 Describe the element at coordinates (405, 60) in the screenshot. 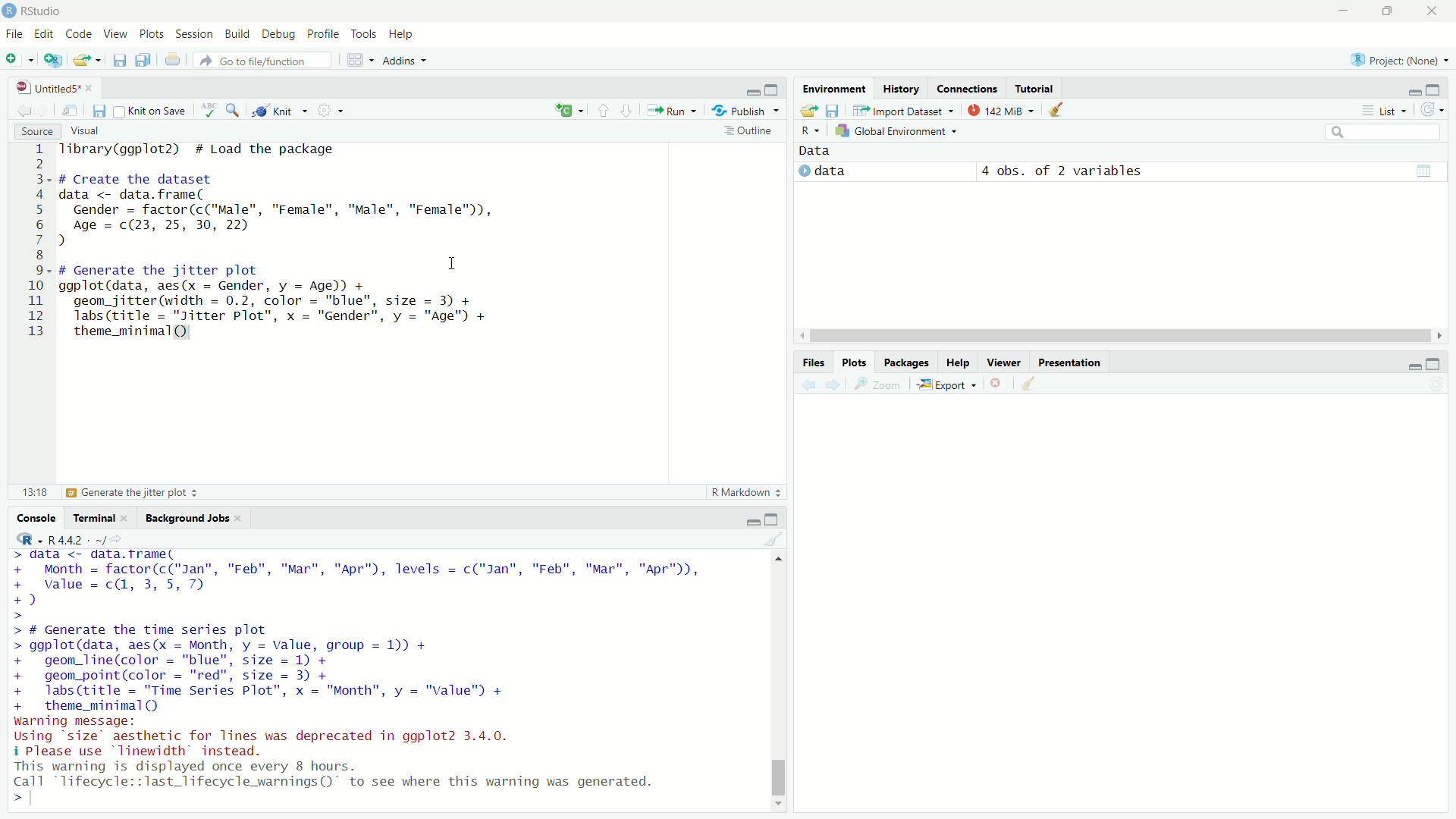

I see `addins` at that location.